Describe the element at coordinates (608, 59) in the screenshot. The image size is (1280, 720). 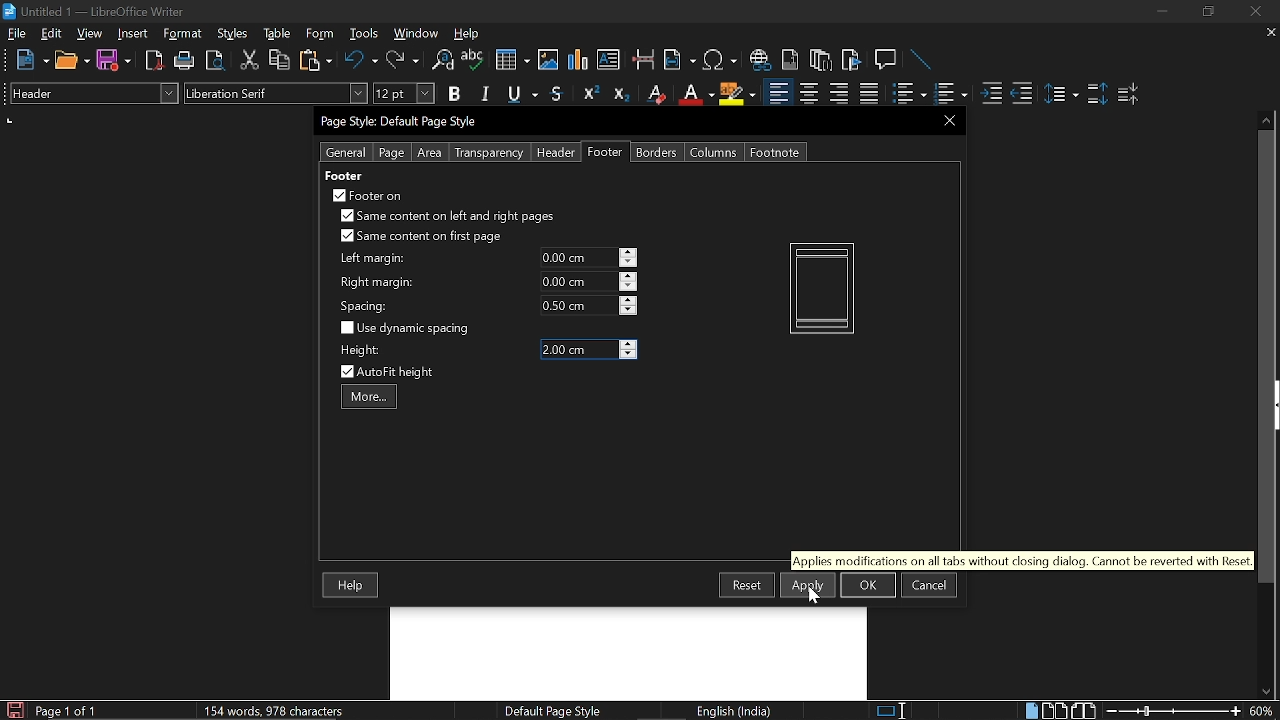
I see `Insert text` at that location.